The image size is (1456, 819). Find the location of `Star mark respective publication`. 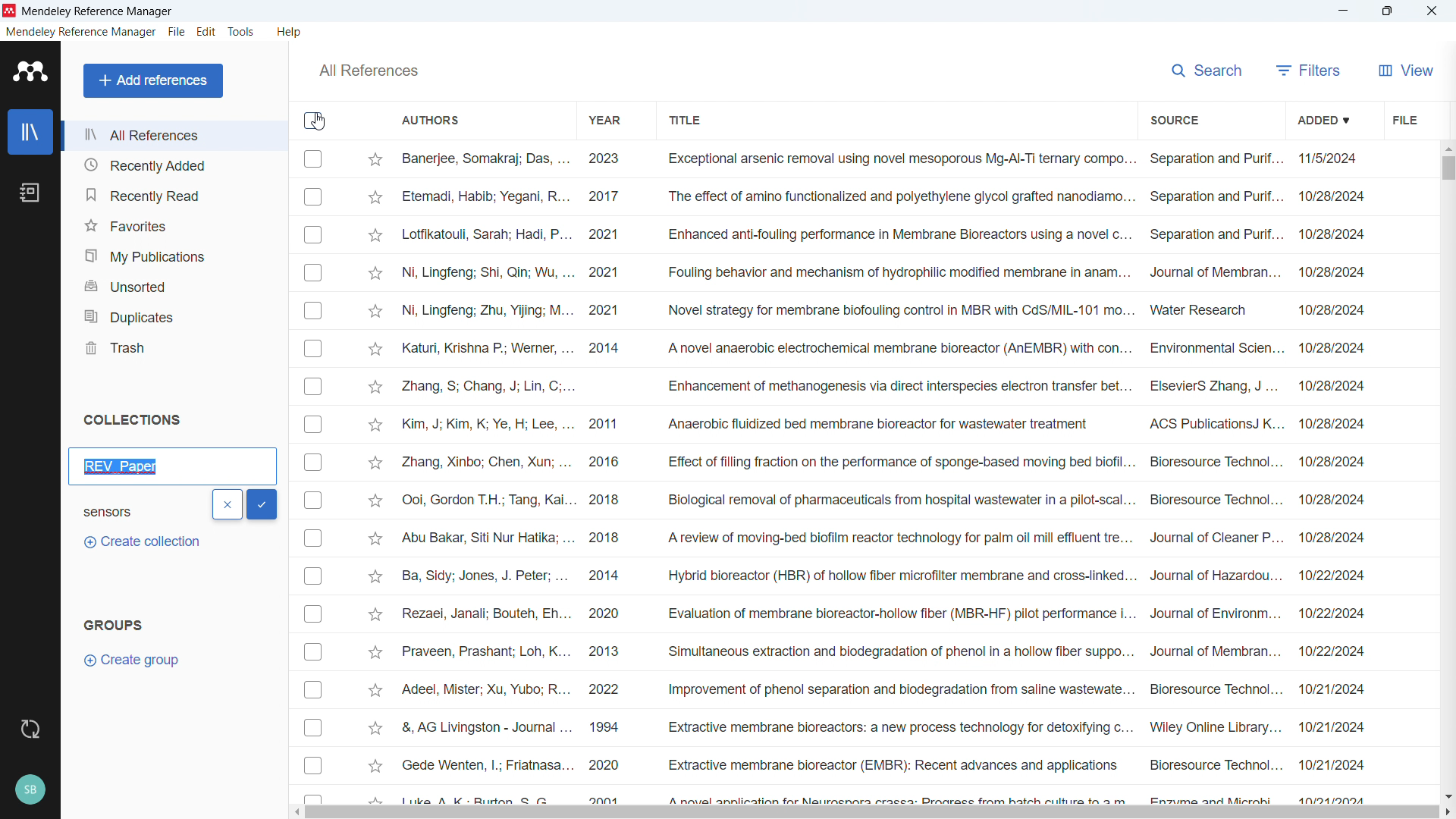

Star mark respective publication is located at coordinates (376, 274).